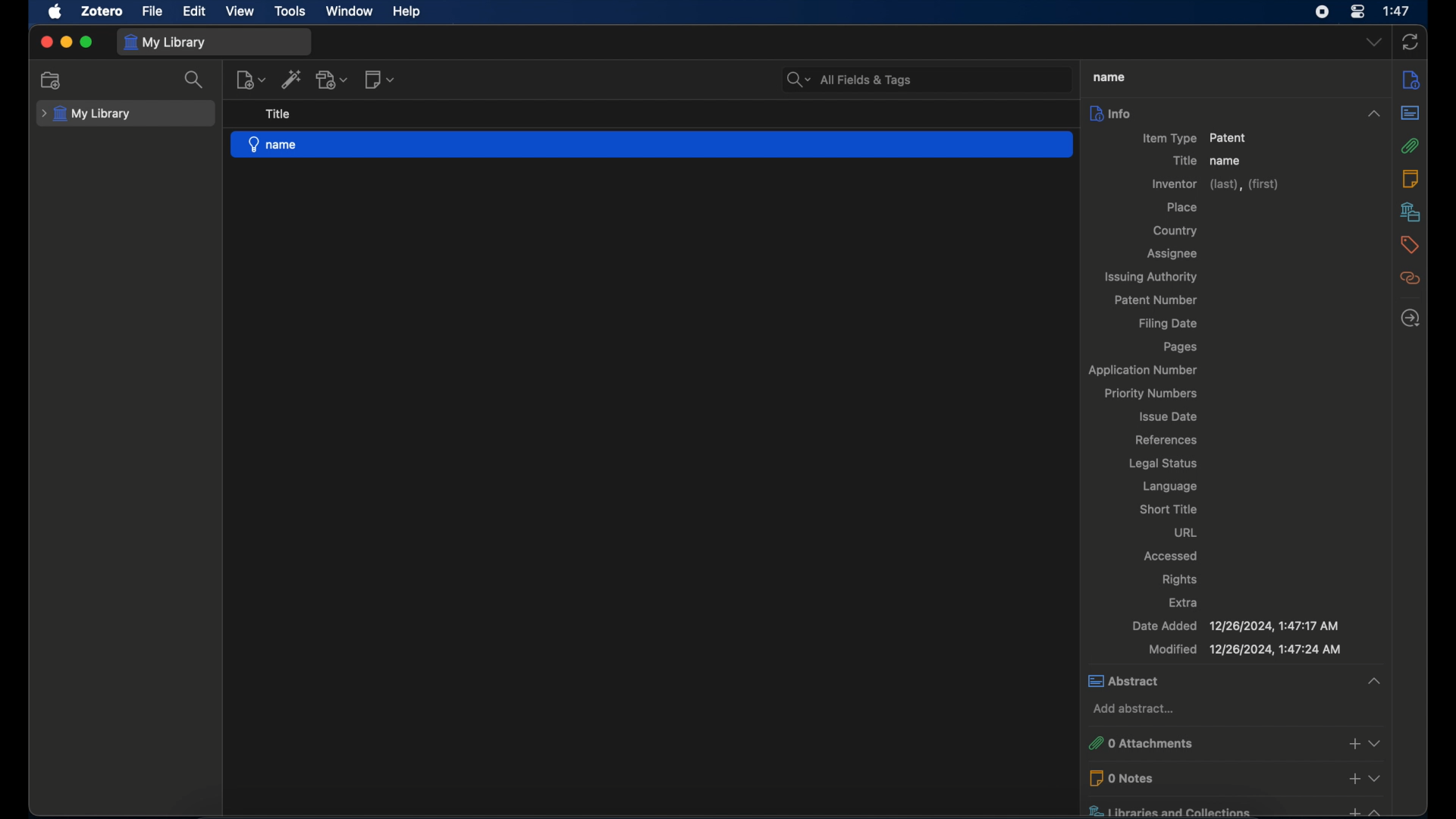 This screenshot has height=819, width=1456. What do you see at coordinates (1410, 318) in the screenshot?
I see `locate` at bounding box center [1410, 318].